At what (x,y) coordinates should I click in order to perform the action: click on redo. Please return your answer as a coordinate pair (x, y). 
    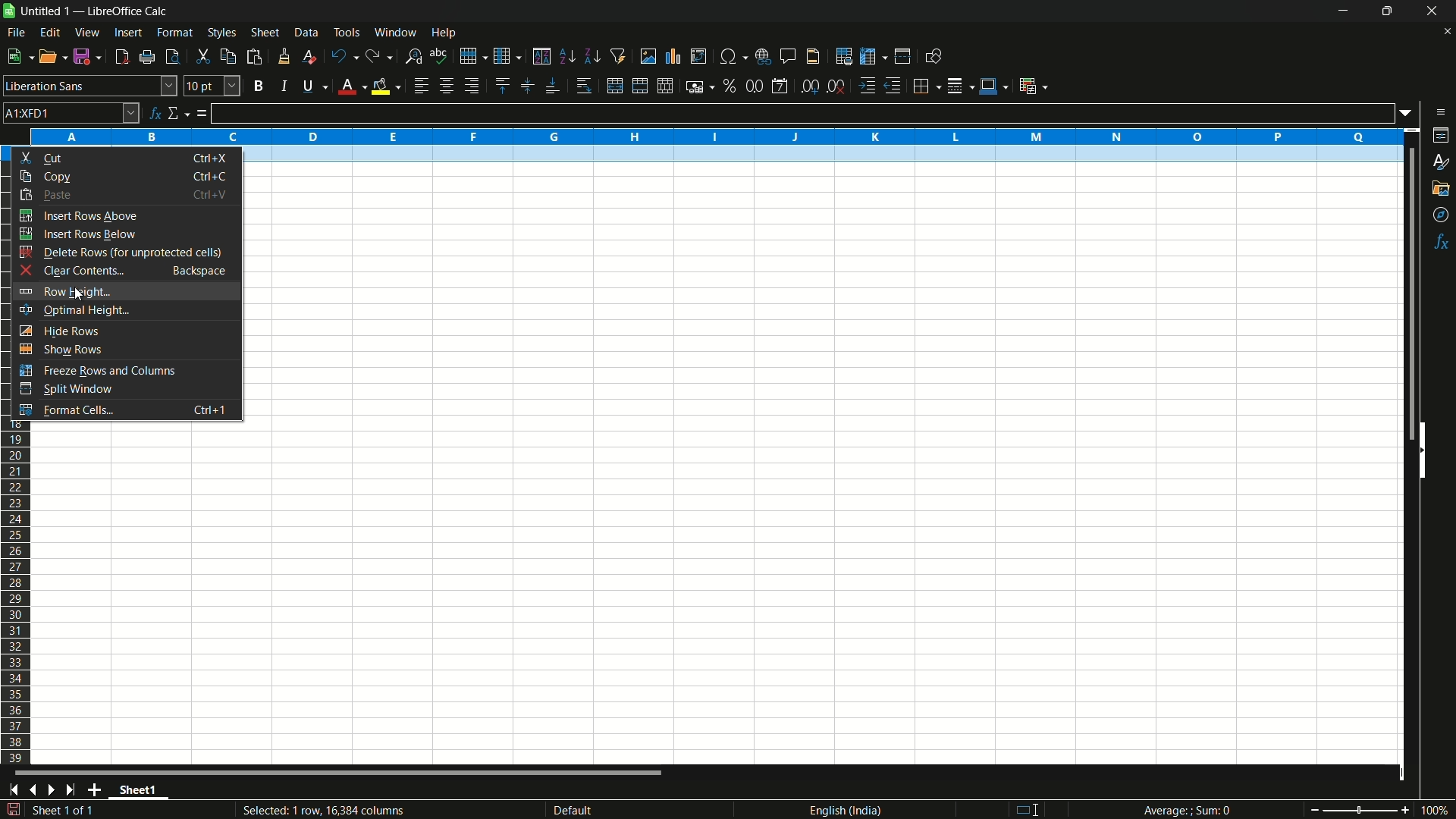
    Looking at the image, I should click on (380, 57).